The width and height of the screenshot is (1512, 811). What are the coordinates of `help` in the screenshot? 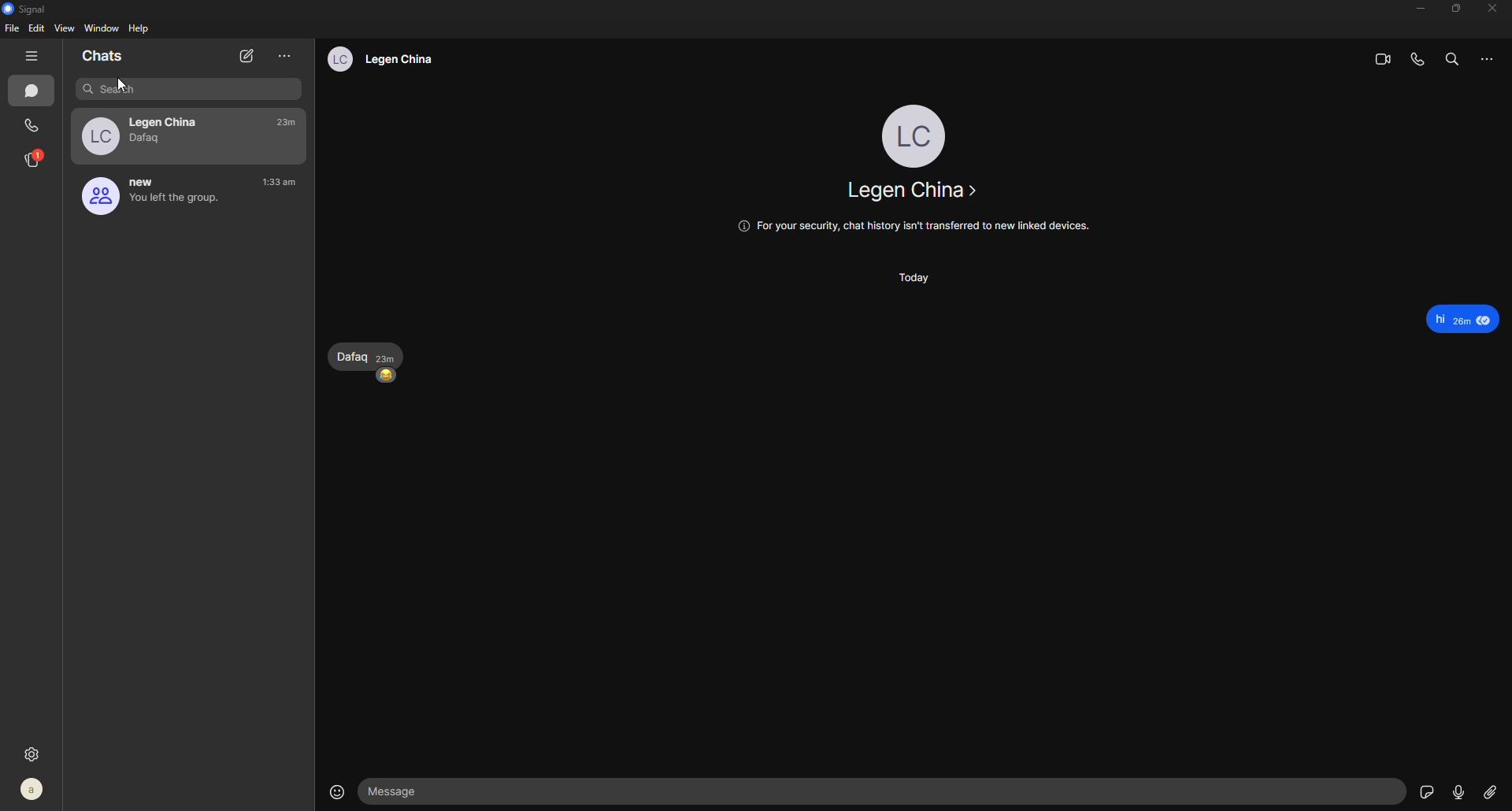 It's located at (139, 29).